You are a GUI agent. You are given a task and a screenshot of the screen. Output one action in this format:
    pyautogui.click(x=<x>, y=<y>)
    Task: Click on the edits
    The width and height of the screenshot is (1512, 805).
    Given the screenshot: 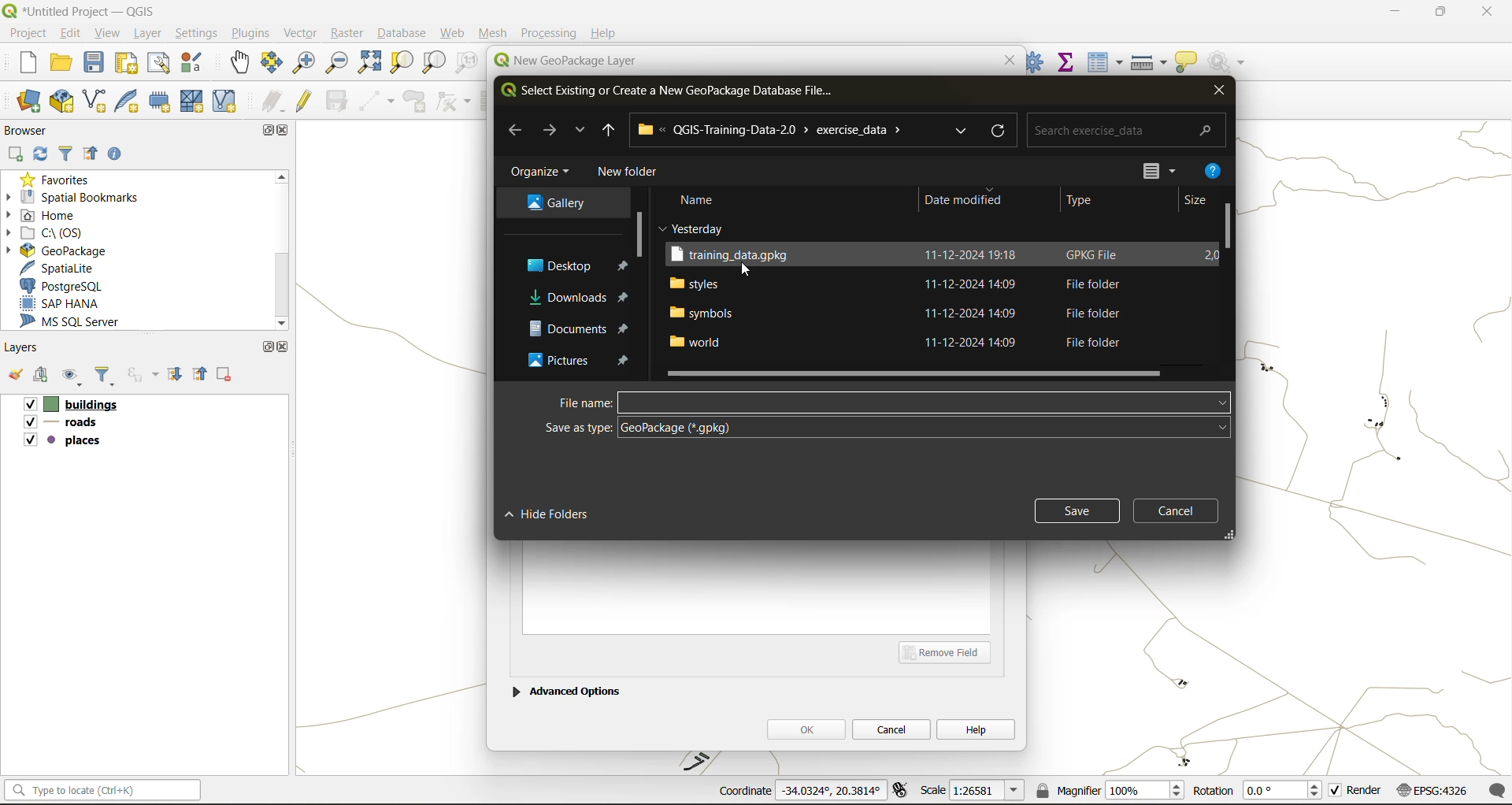 What is the action you would take?
    pyautogui.click(x=273, y=102)
    